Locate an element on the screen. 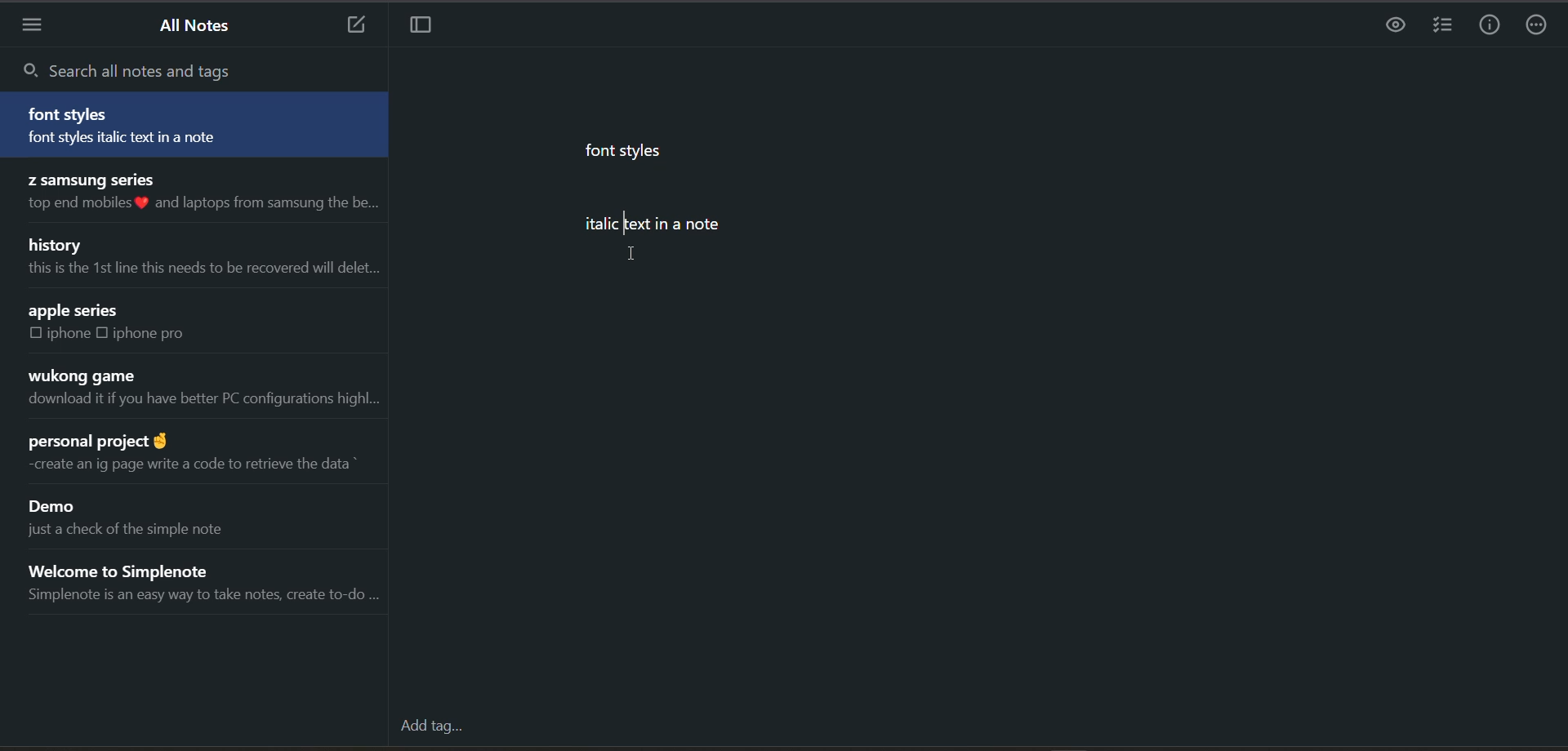  note title and preview is located at coordinates (203, 259).